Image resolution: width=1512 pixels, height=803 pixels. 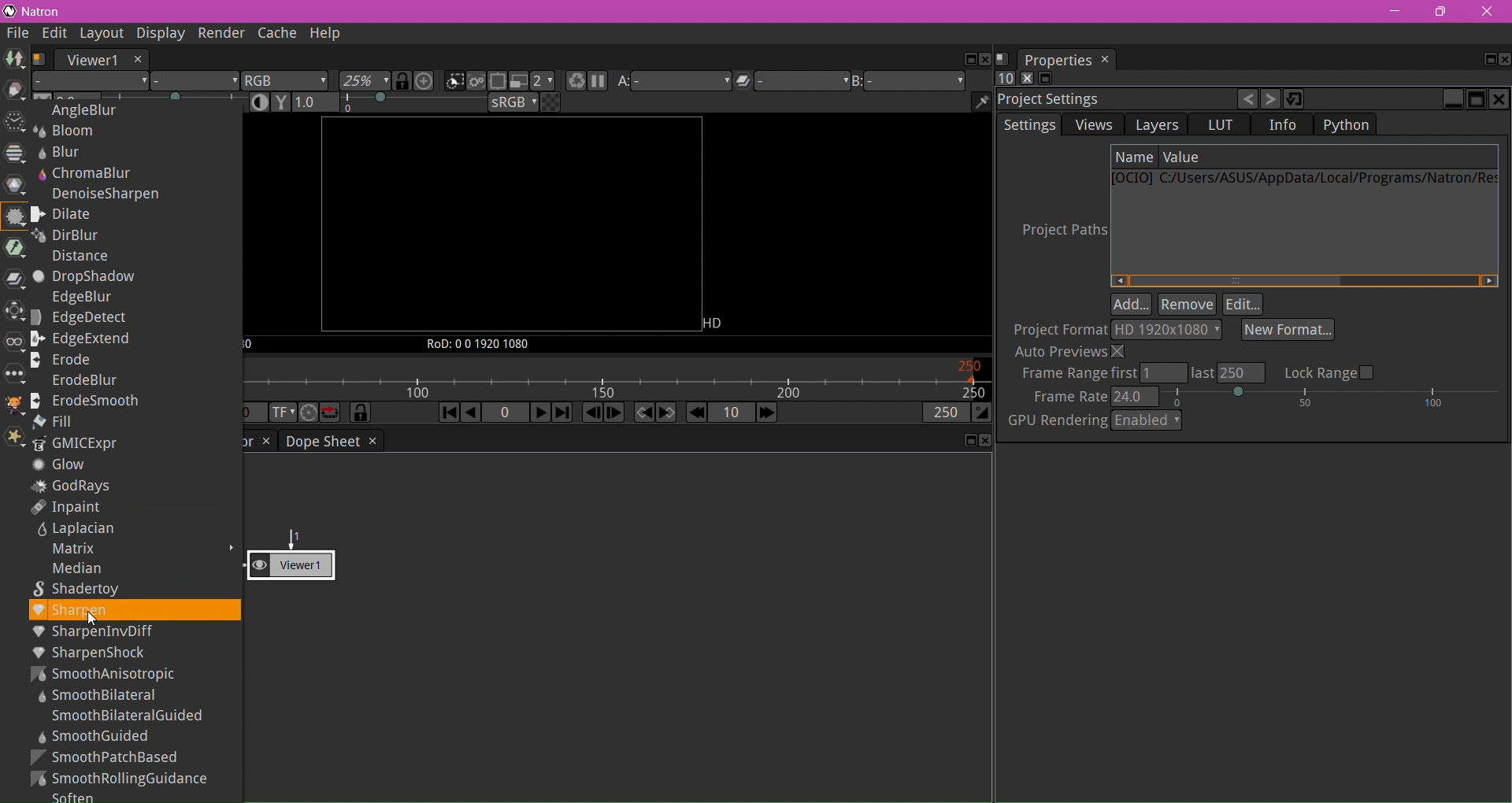 What do you see at coordinates (13, 313) in the screenshot?
I see `Transform` at bounding box center [13, 313].